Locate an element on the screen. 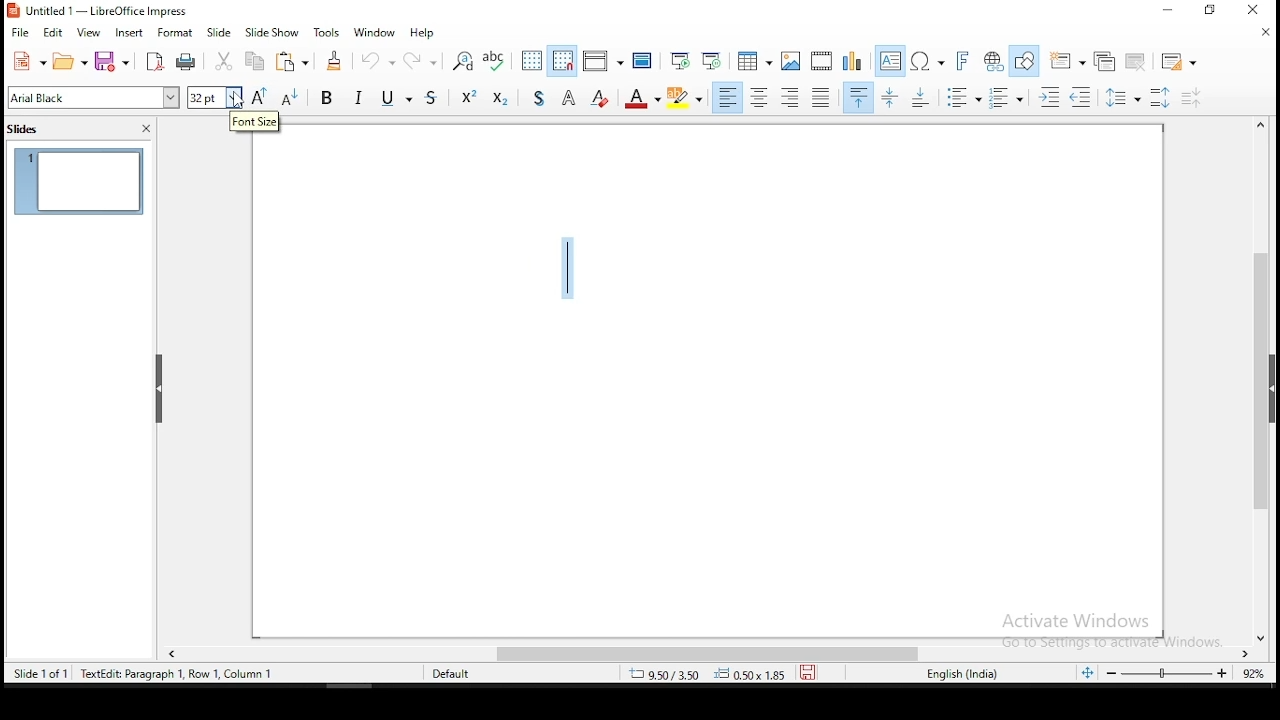 This screenshot has width=1280, height=720. Space between Paragraph is located at coordinates (891, 97).